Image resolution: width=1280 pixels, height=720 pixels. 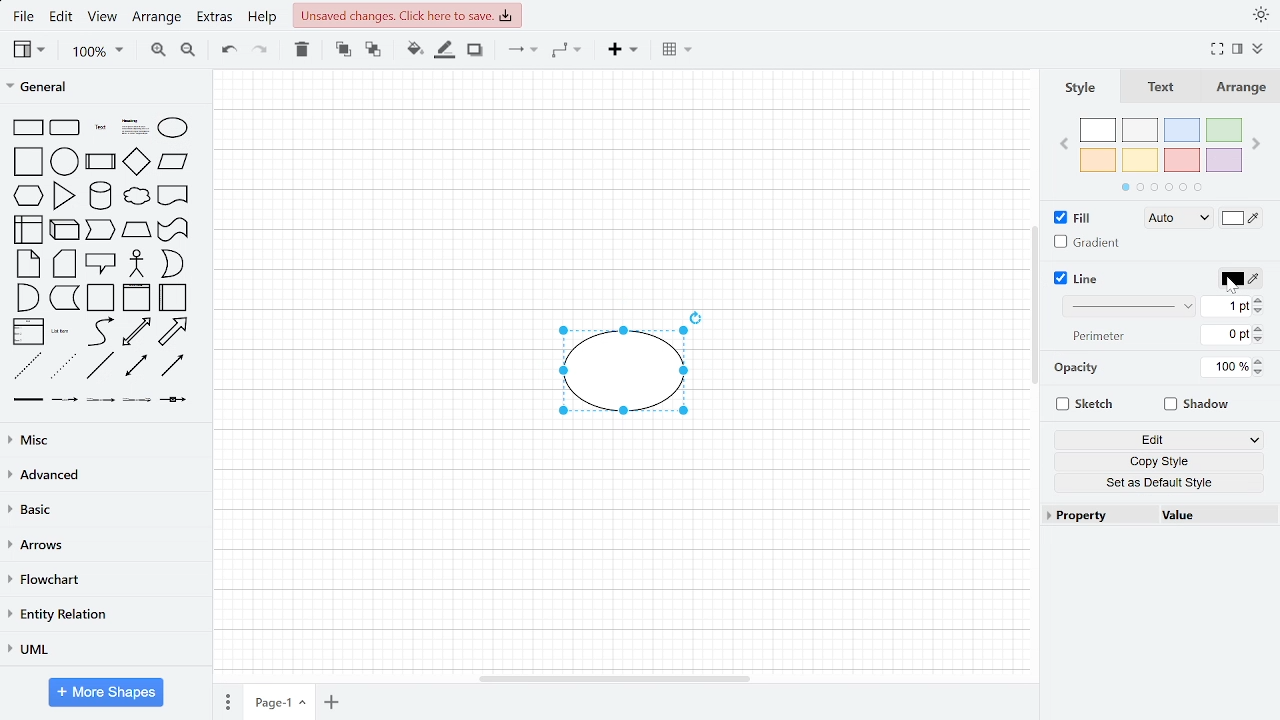 I want to click on Diagram, so click(x=617, y=373).